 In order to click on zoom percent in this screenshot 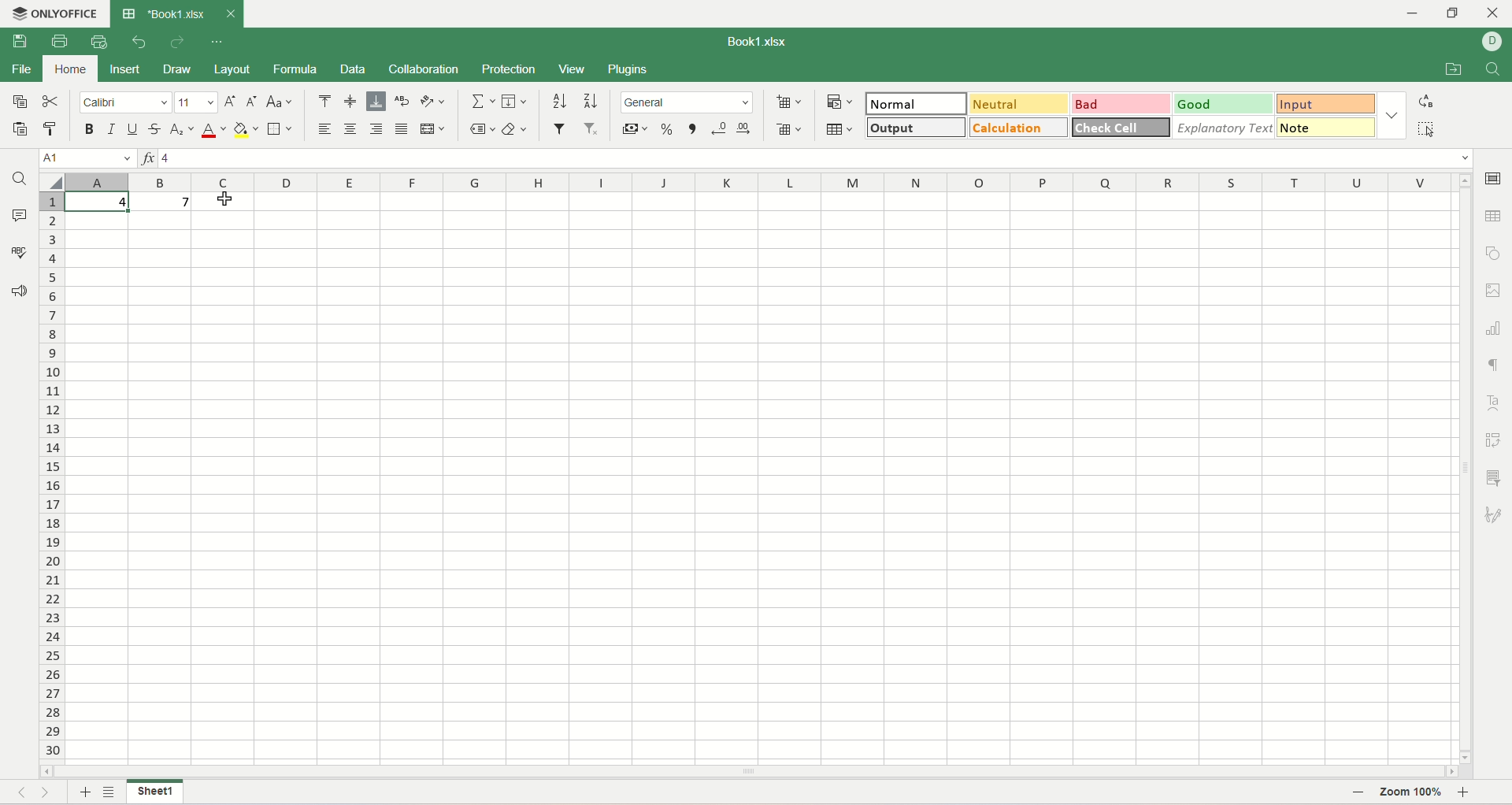, I will do `click(1412, 795)`.